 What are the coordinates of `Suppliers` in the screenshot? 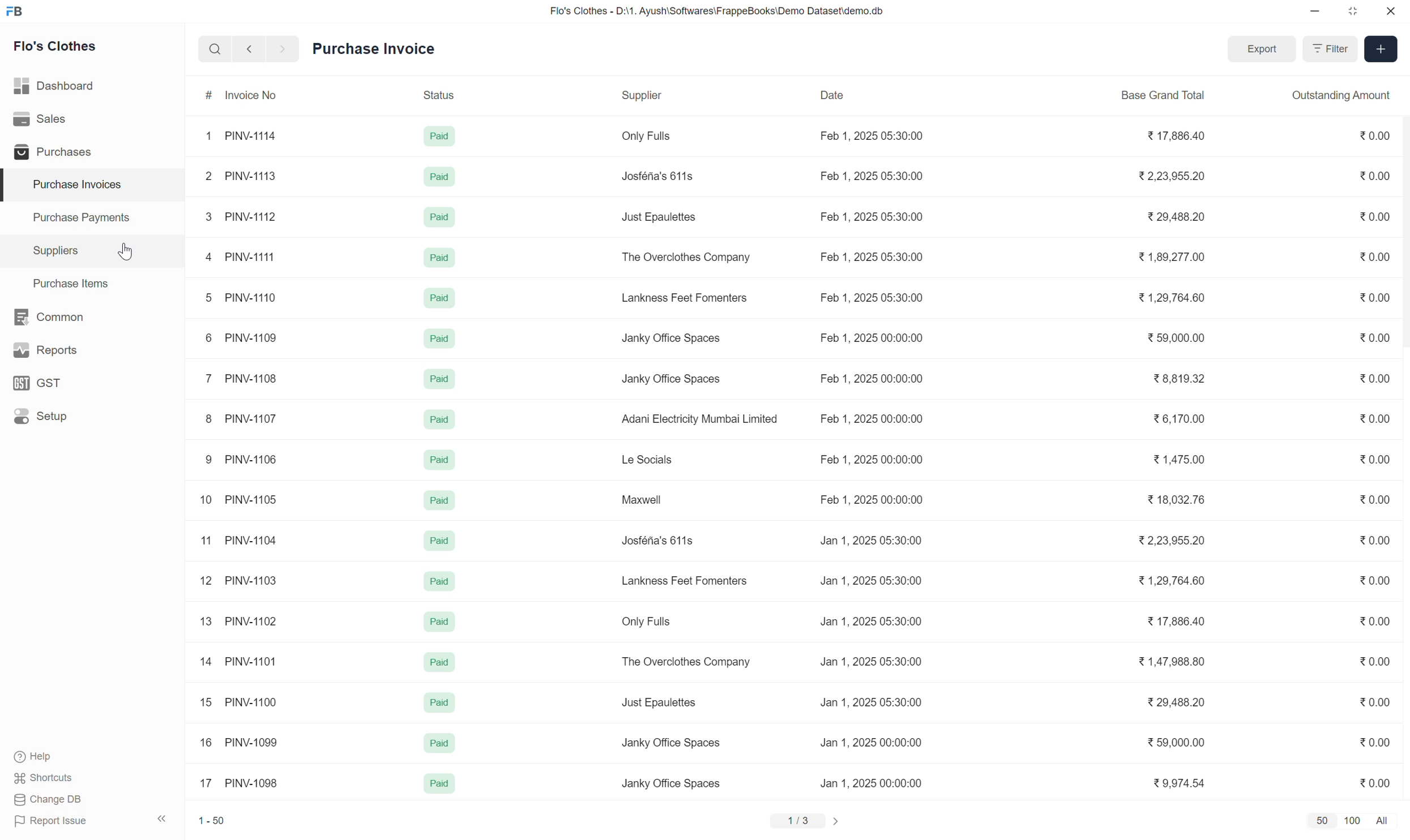 It's located at (92, 251).